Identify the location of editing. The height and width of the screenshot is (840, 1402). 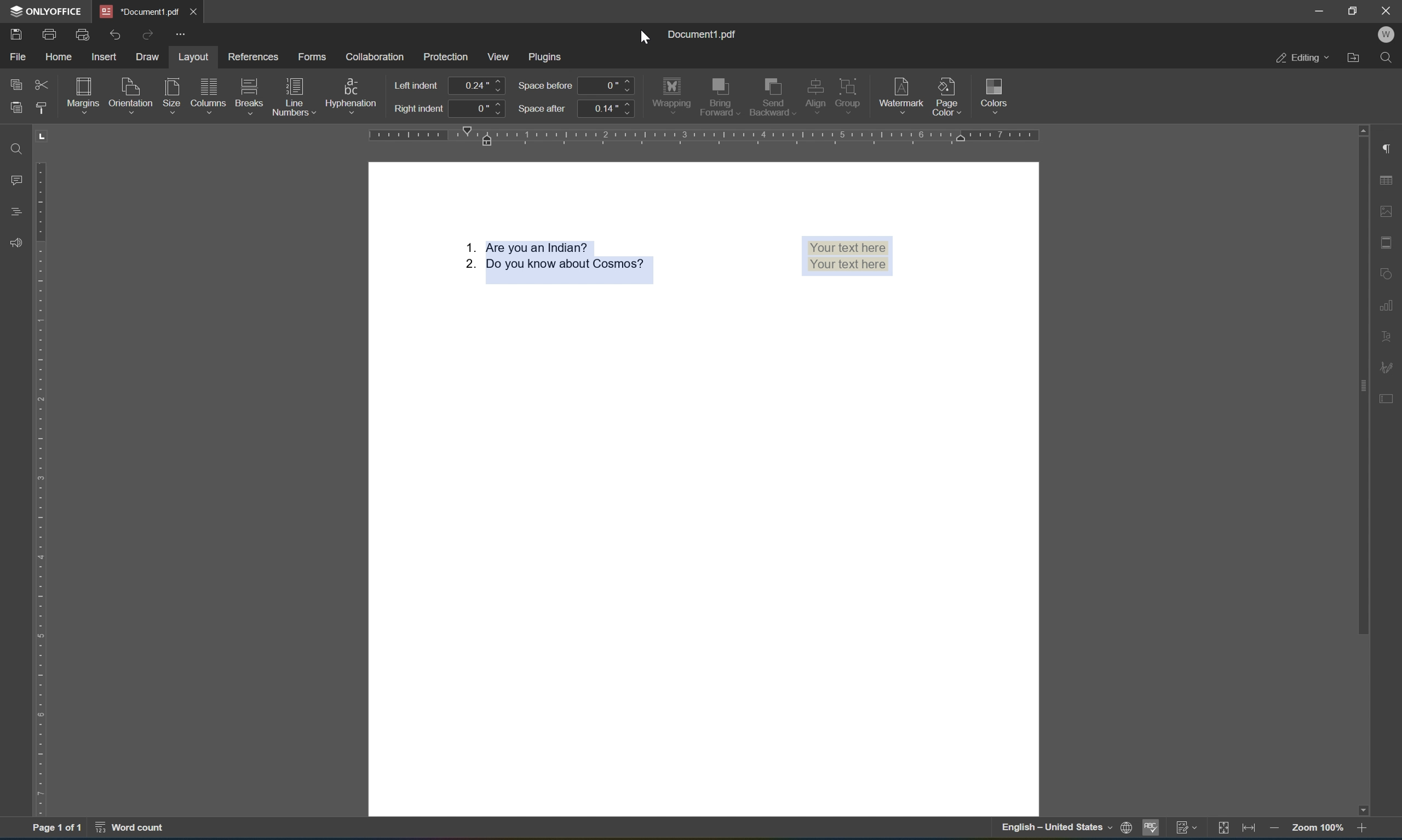
(1302, 58).